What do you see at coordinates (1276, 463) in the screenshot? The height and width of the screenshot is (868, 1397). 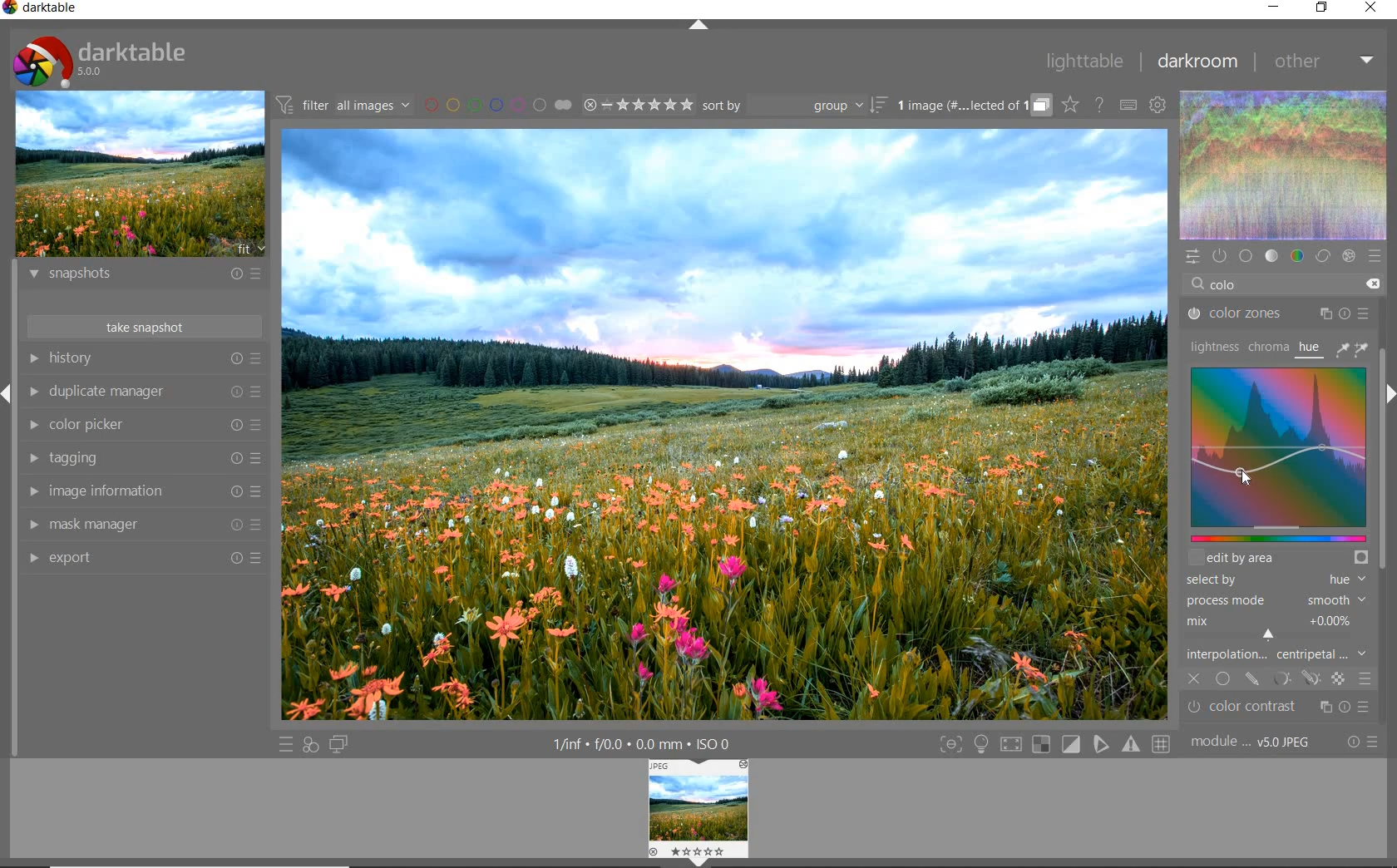 I see `Colorize` at bounding box center [1276, 463].